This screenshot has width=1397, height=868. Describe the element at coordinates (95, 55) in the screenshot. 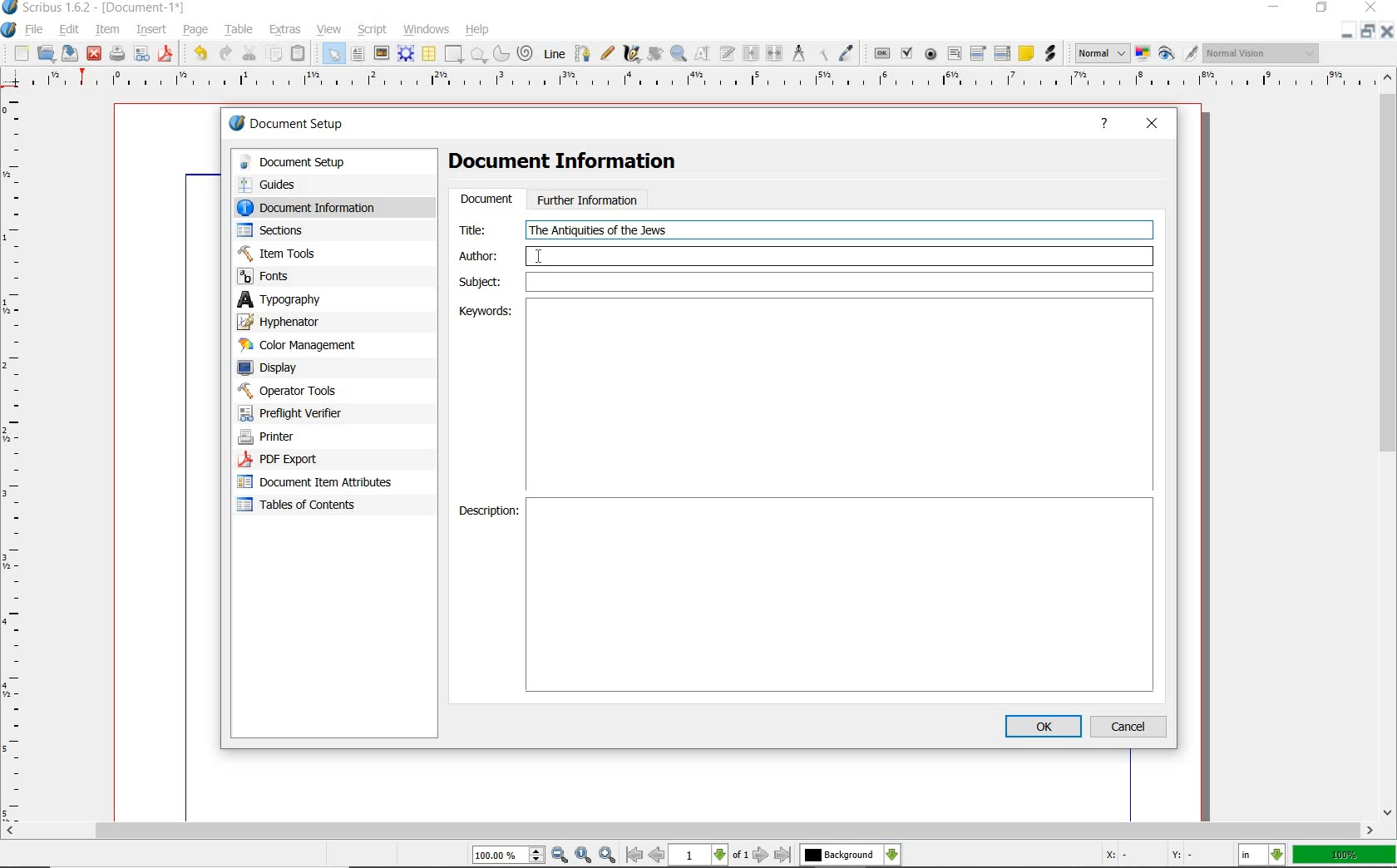

I see `close` at that location.